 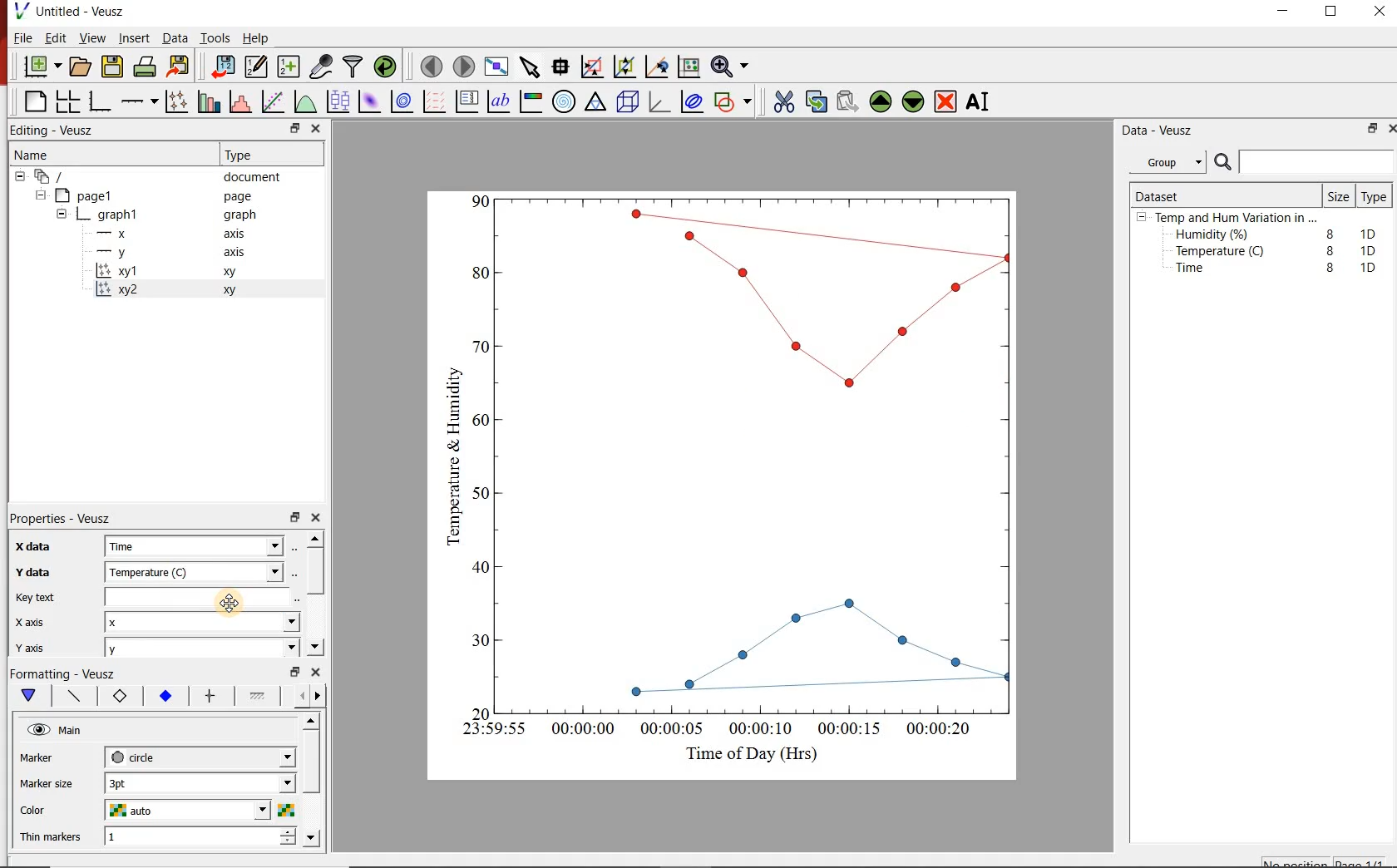 What do you see at coordinates (916, 101) in the screenshot?
I see `Move the selected widget down` at bounding box center [916, 101].